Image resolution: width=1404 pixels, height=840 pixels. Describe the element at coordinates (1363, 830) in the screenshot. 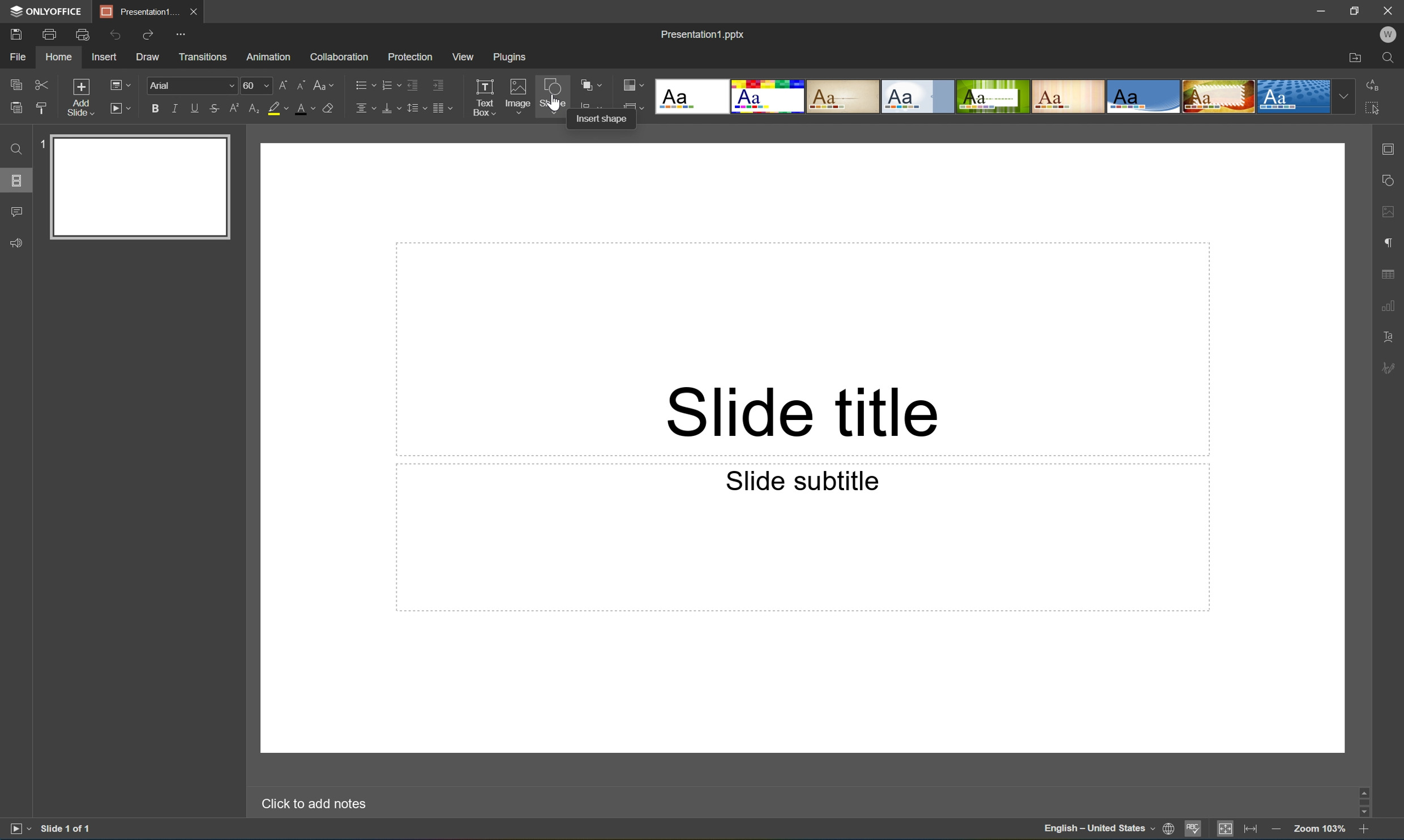

I see `Zoom in` at that location.